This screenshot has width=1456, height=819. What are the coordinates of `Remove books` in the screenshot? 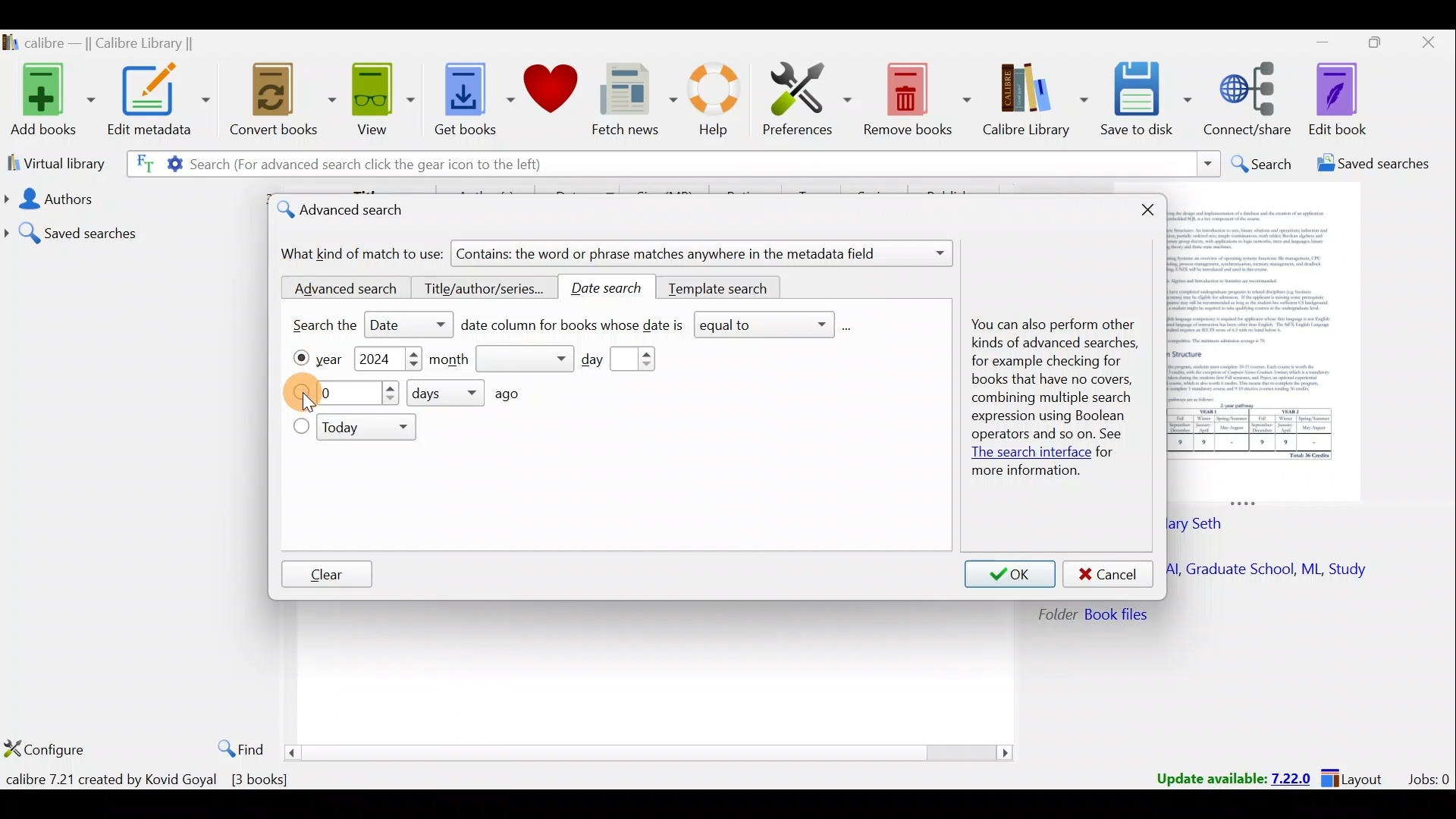 It's located at (916, 96).